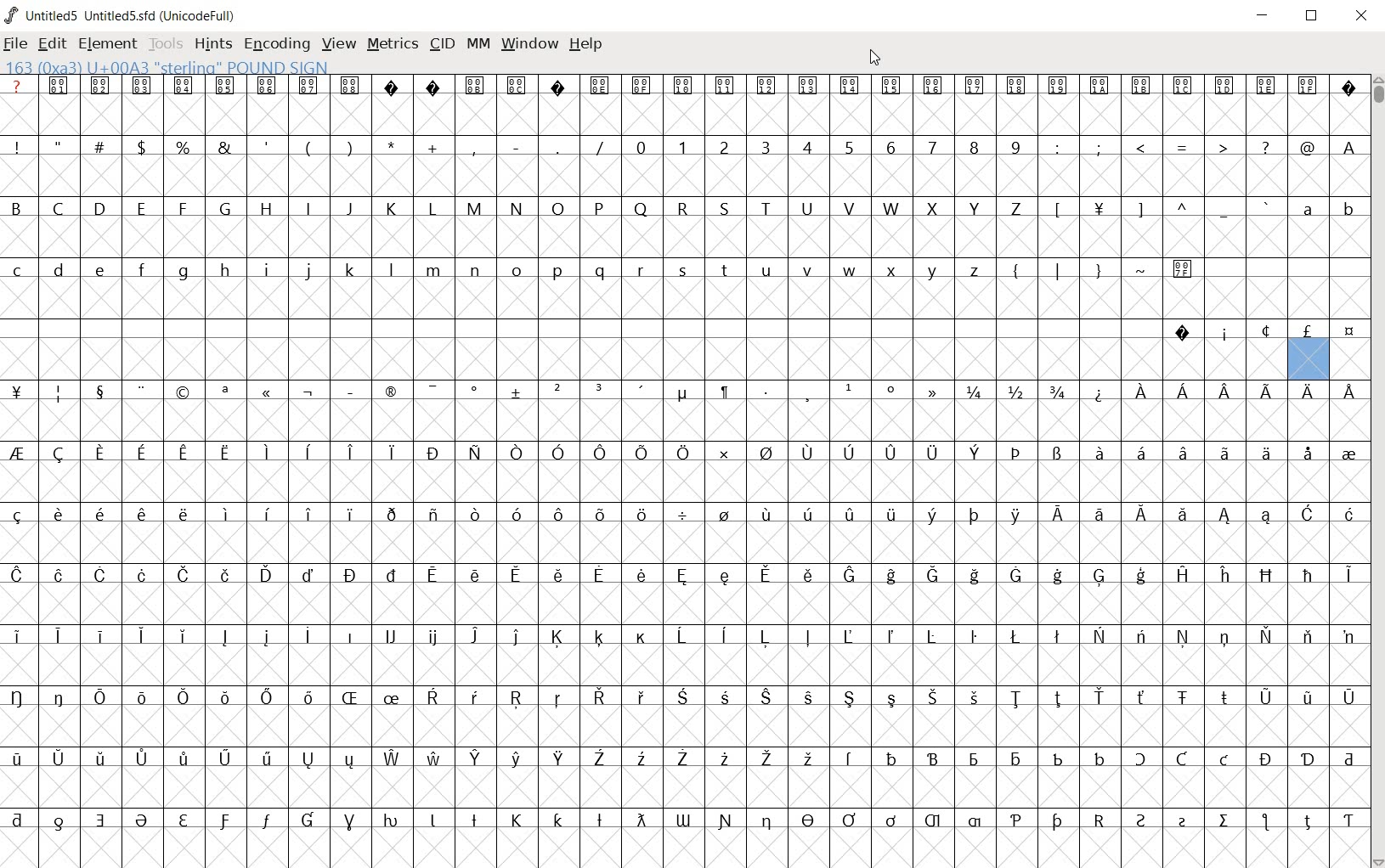  Describe the element at coordinates (806, 146) in the screenshot. I see `4` at that location.